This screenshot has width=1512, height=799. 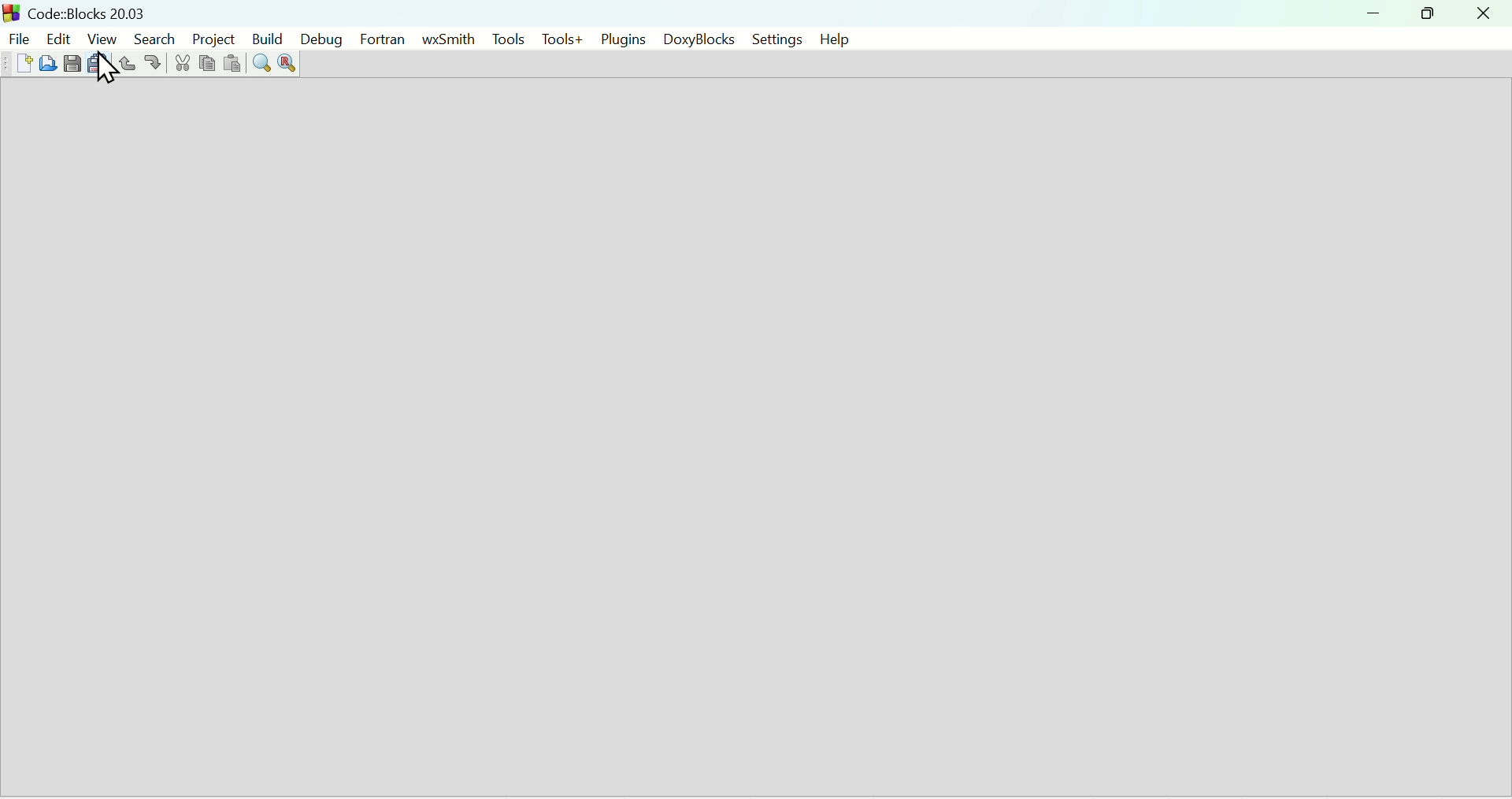 What do you see at coordinates (91, 11) in the screenshot?
I see `Code: Blocks Version` at bounding box center [91, 11].